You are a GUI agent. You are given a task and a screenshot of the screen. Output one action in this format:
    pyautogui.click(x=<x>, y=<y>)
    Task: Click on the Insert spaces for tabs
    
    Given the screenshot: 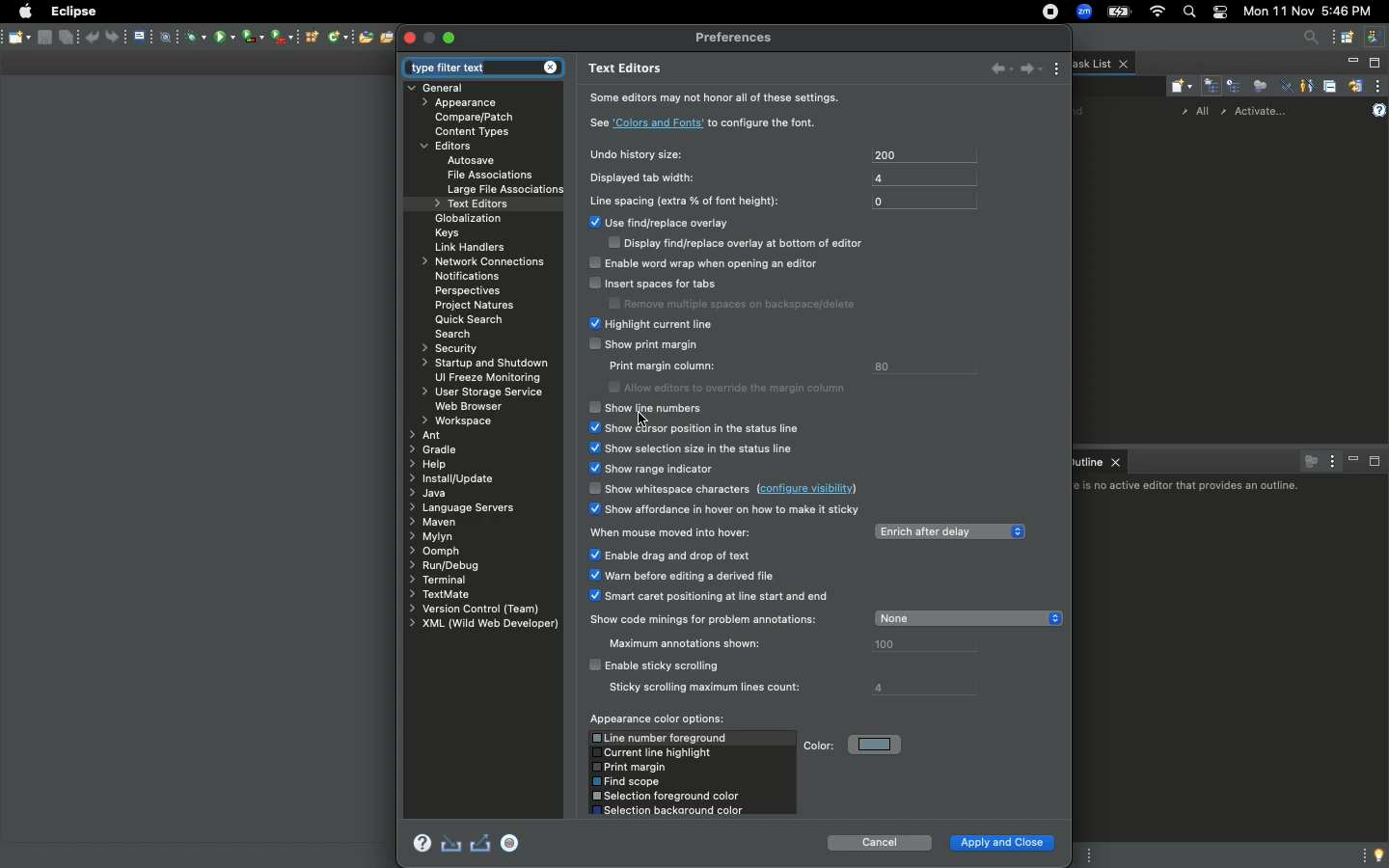 What is the action you would take?
    pyautogui.click(x=730, y=291)
    